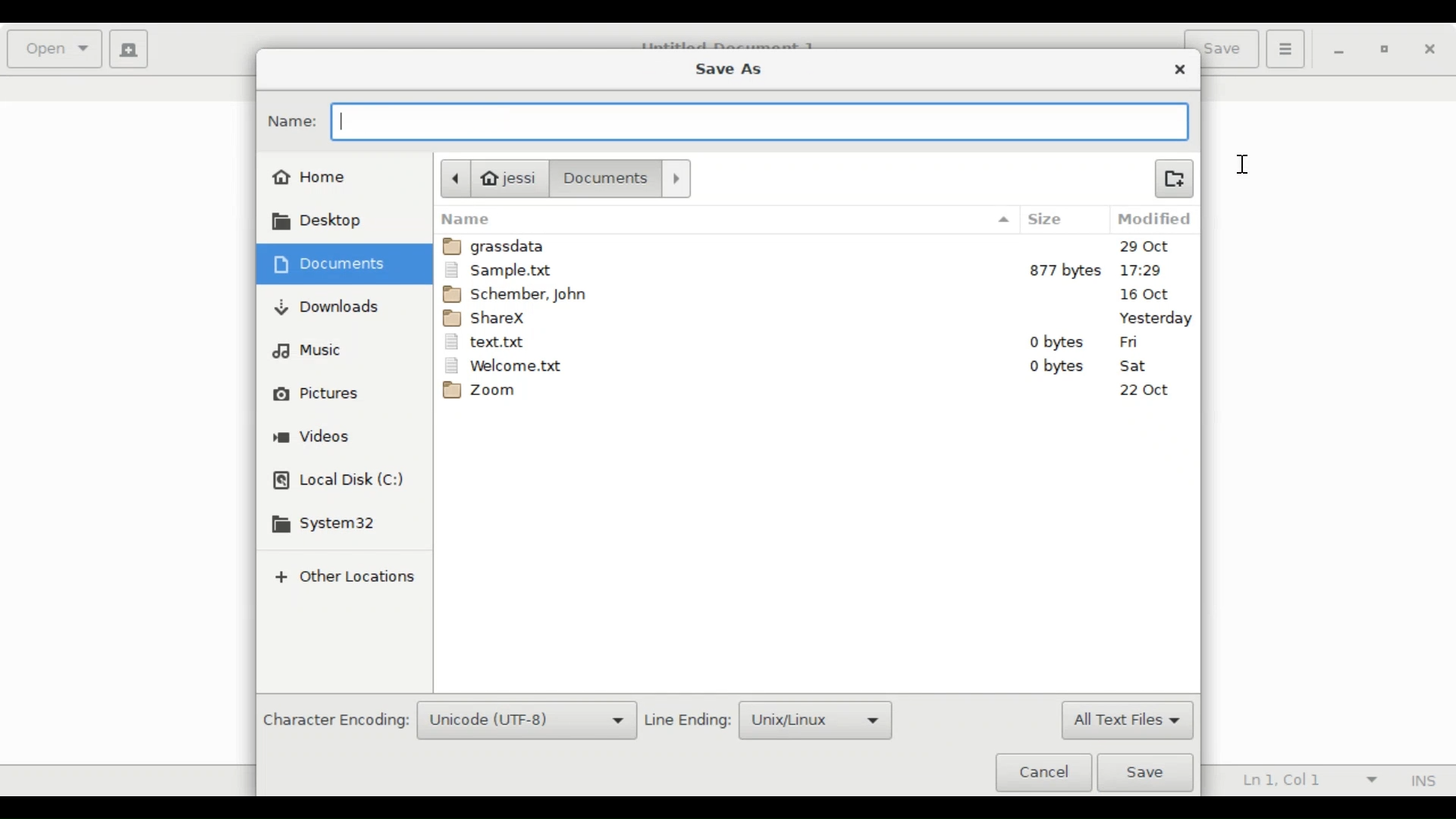  I want to click on Welcome.txt 0 bytes Sat, so click(815, 366).